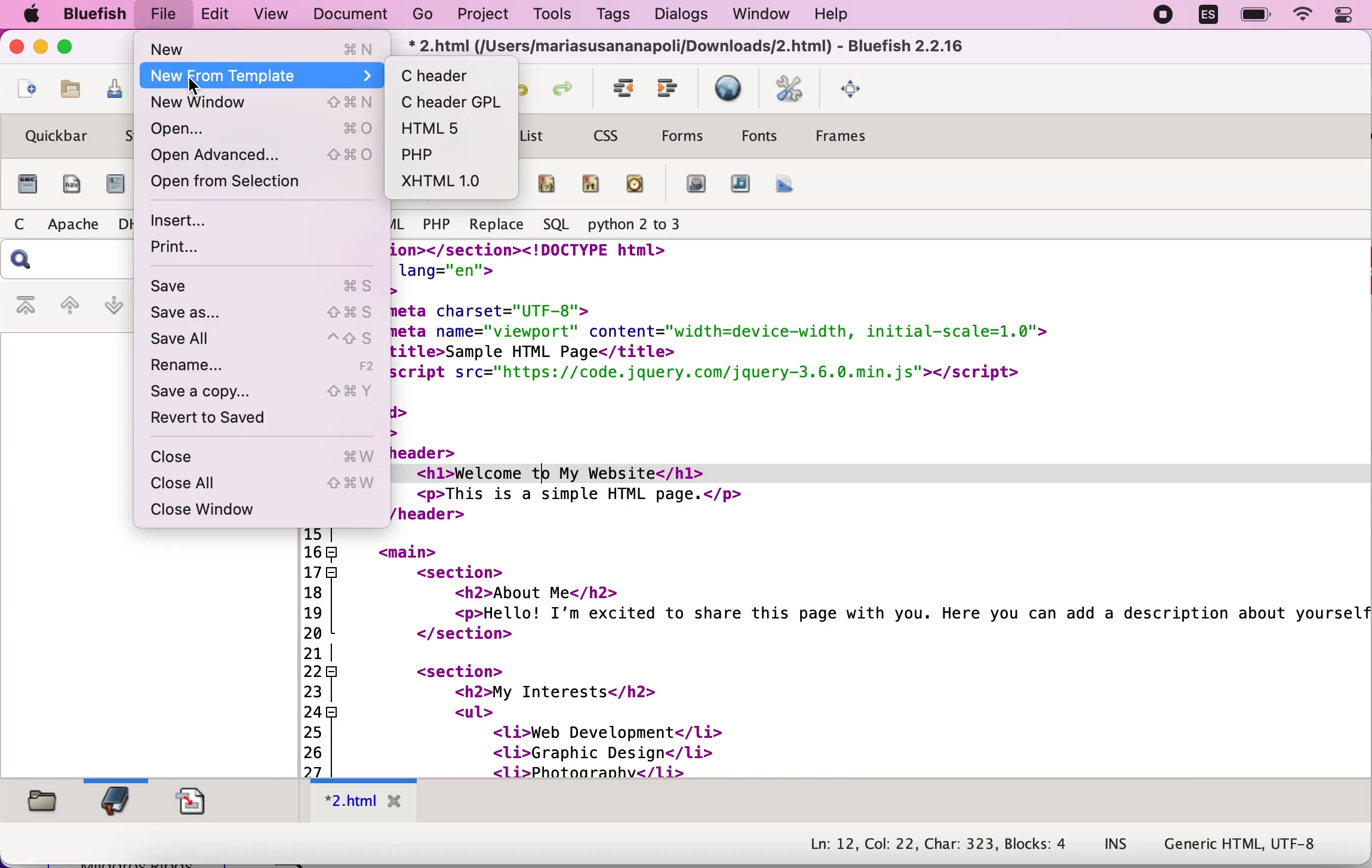 This screenshot has width=1372, height=868. I want to click on new file, so click(24, 93).